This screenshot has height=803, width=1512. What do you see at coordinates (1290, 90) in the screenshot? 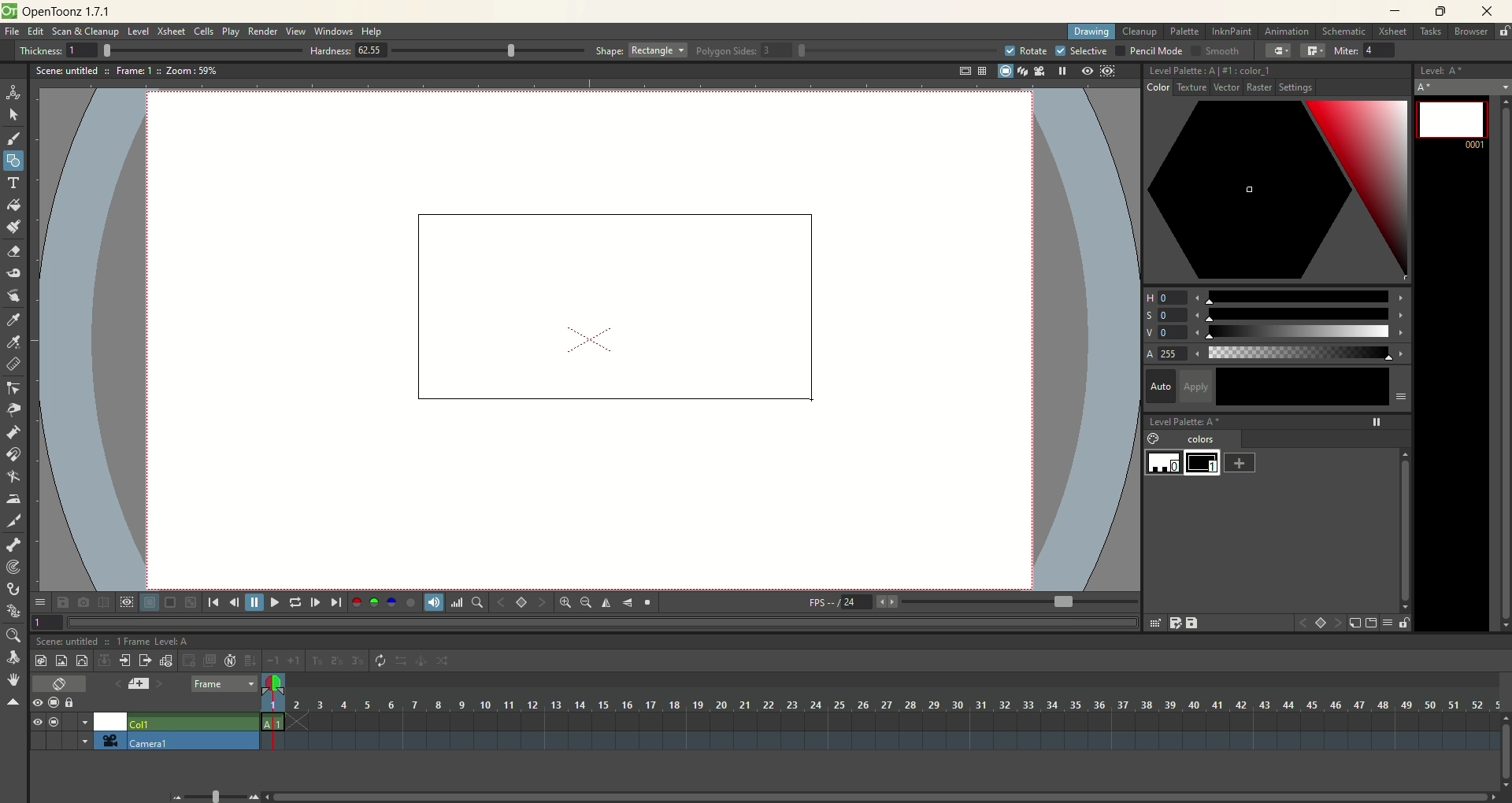
I see `Reset Setting` at bounding box center [1290, 90].